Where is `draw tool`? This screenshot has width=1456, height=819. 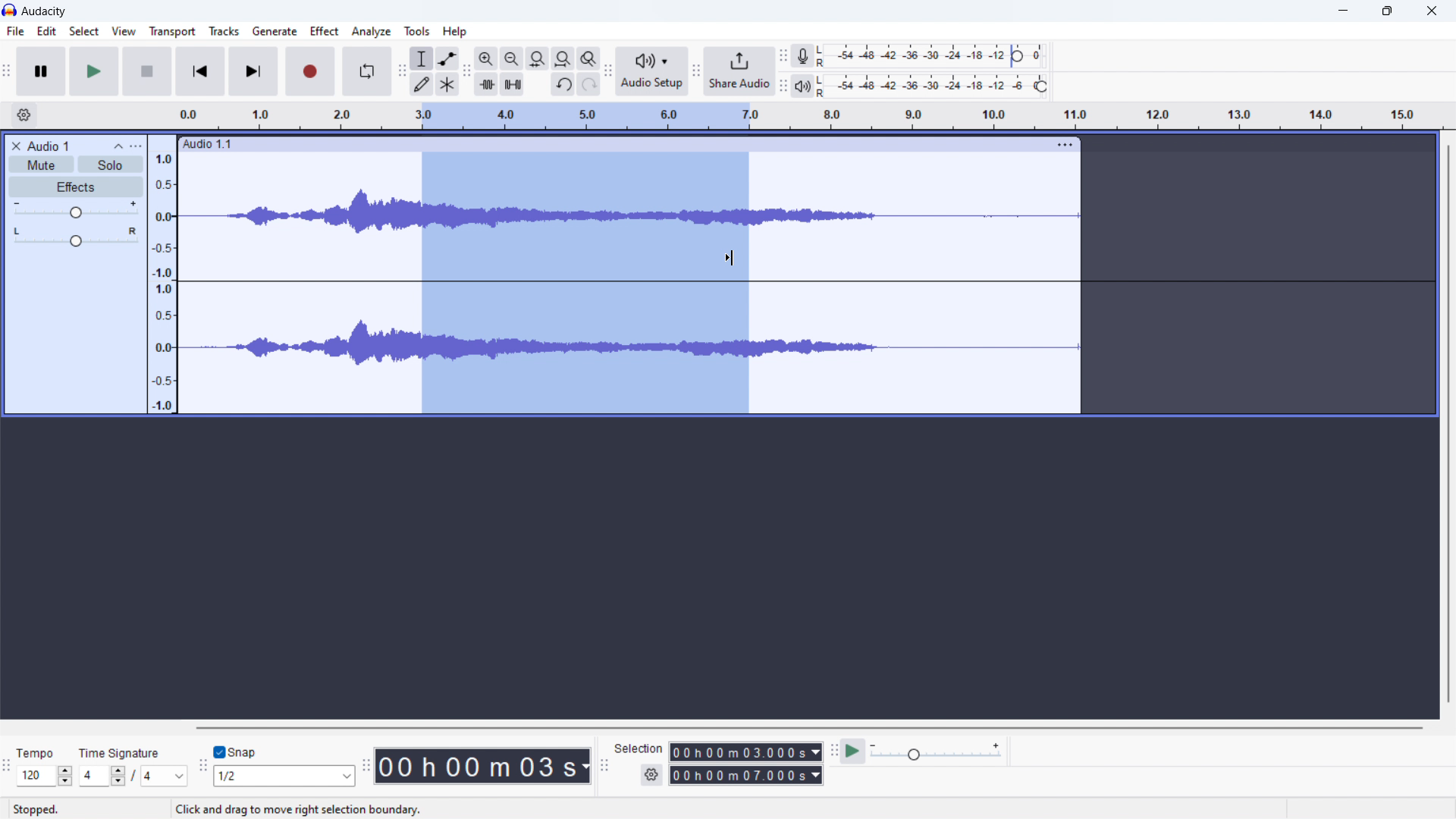
draw tool is located at coordinates (422, 85).